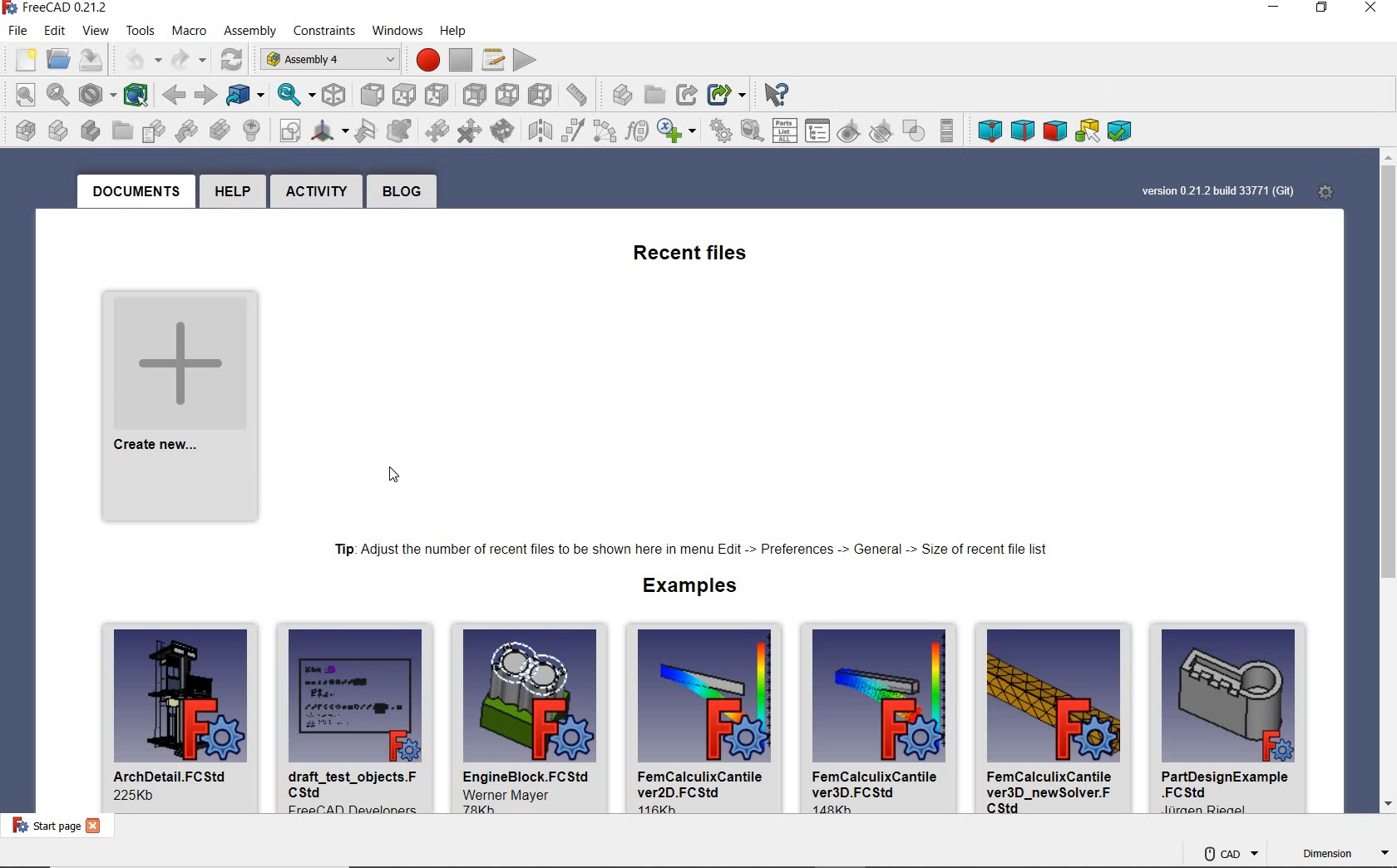 This screenshot has height=868, width=1397. I want to click on create a variant part, so click(220, 131).